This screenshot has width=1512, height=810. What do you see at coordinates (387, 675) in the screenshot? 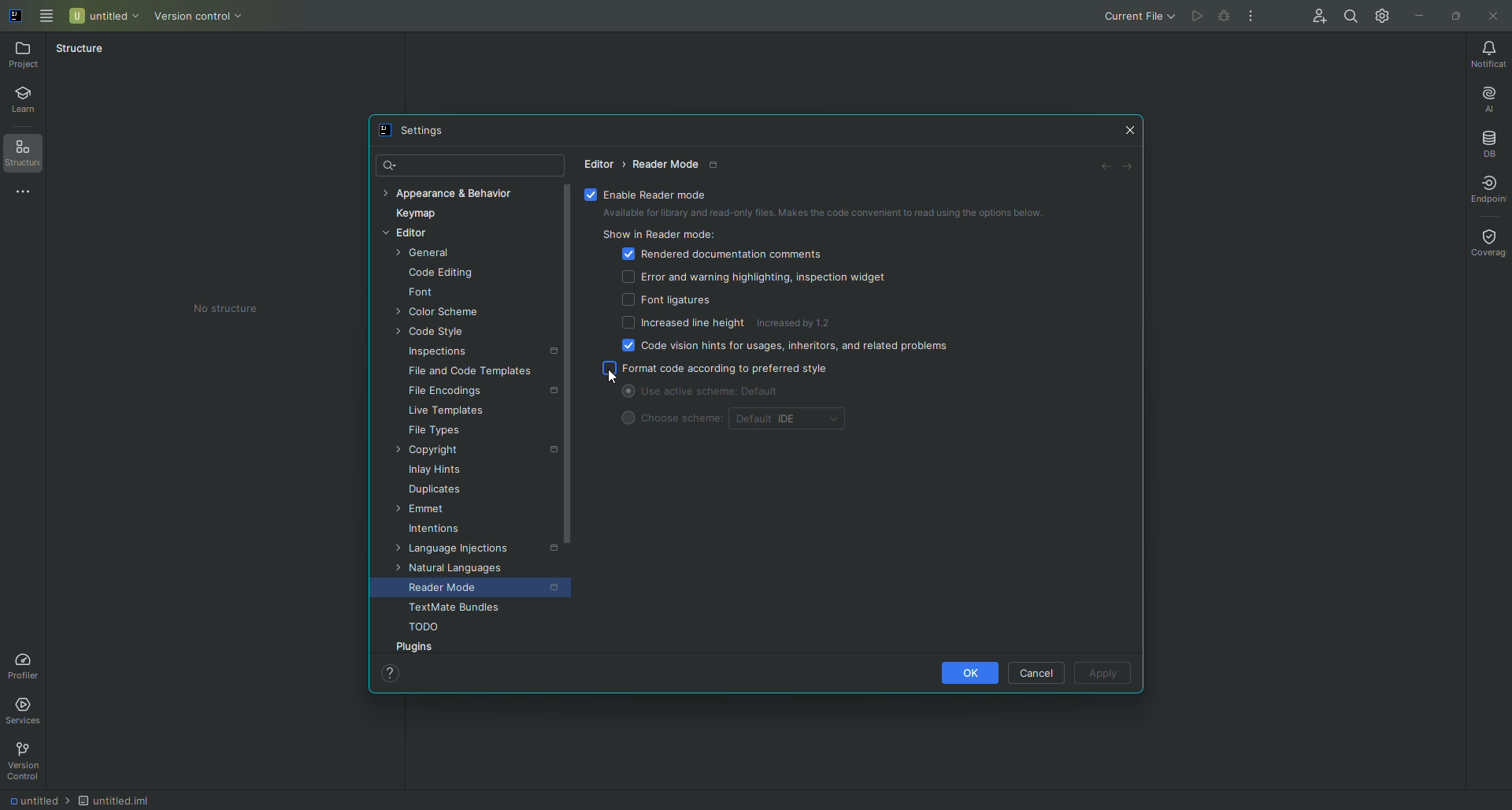
I see `Help` at bounding box center [387, 675].